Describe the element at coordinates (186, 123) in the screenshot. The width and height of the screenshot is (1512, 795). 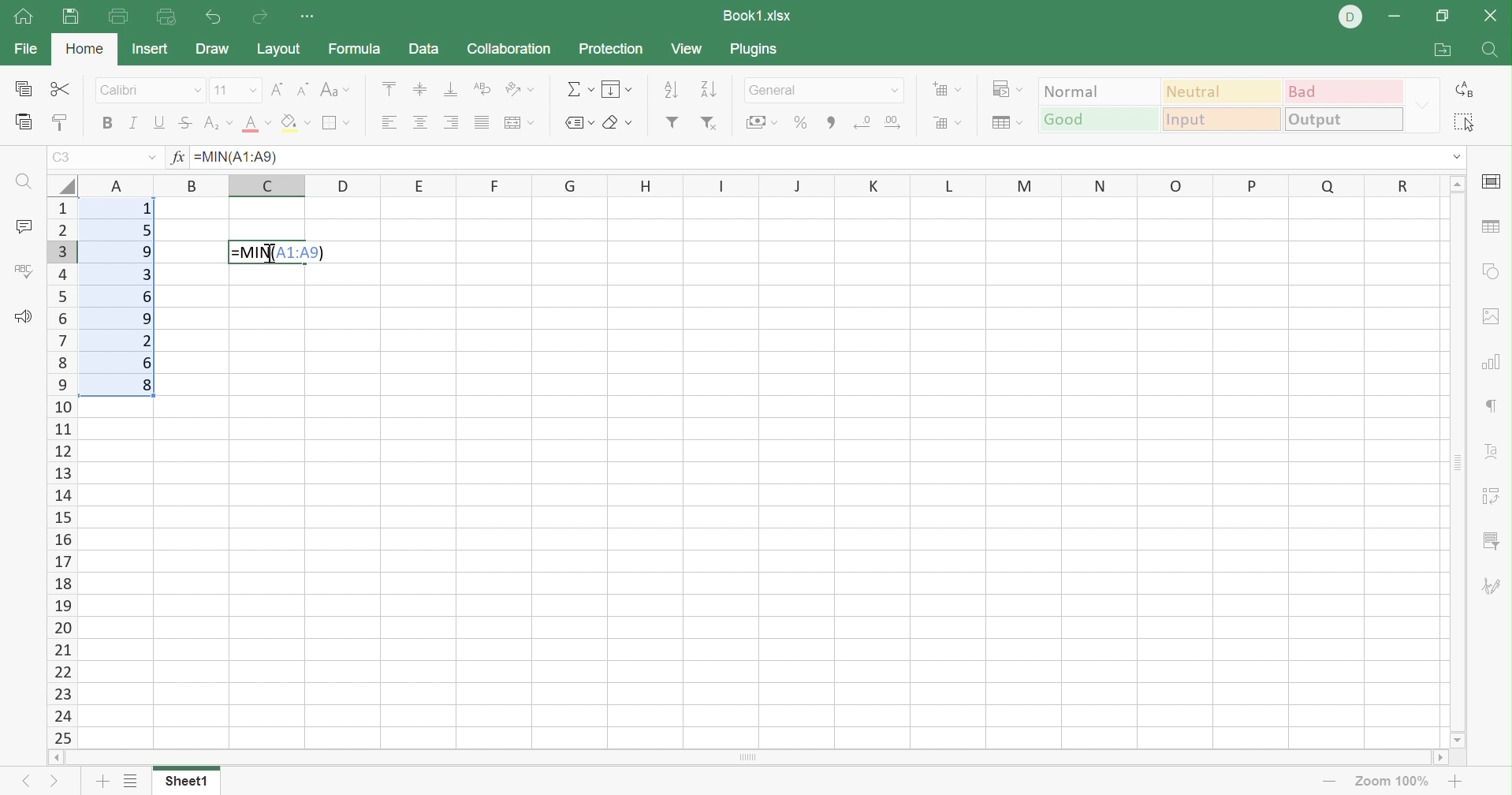
I see `Strikethrough` at that location.